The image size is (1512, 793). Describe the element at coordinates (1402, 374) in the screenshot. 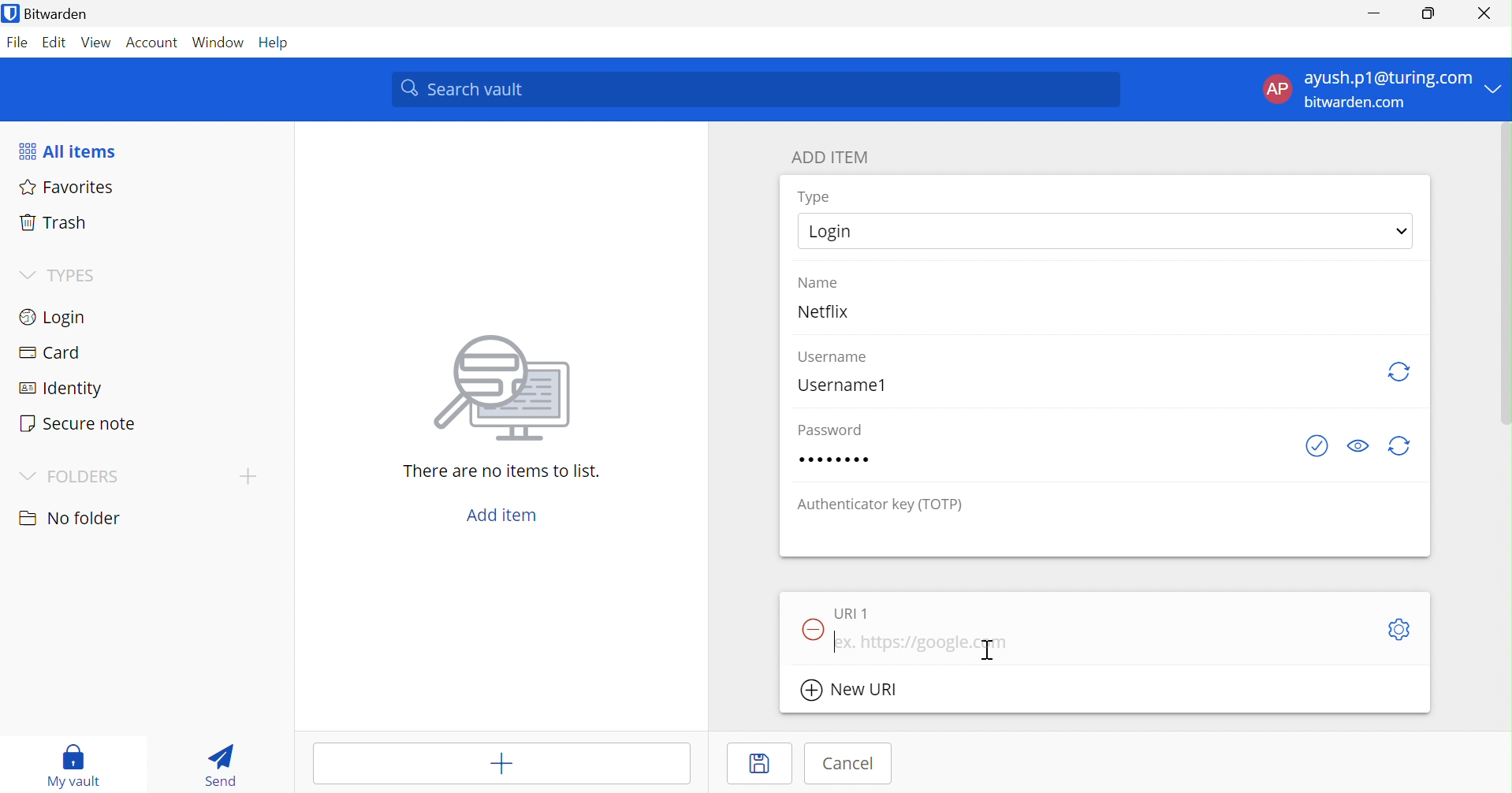

I see `Refresh` at that location.